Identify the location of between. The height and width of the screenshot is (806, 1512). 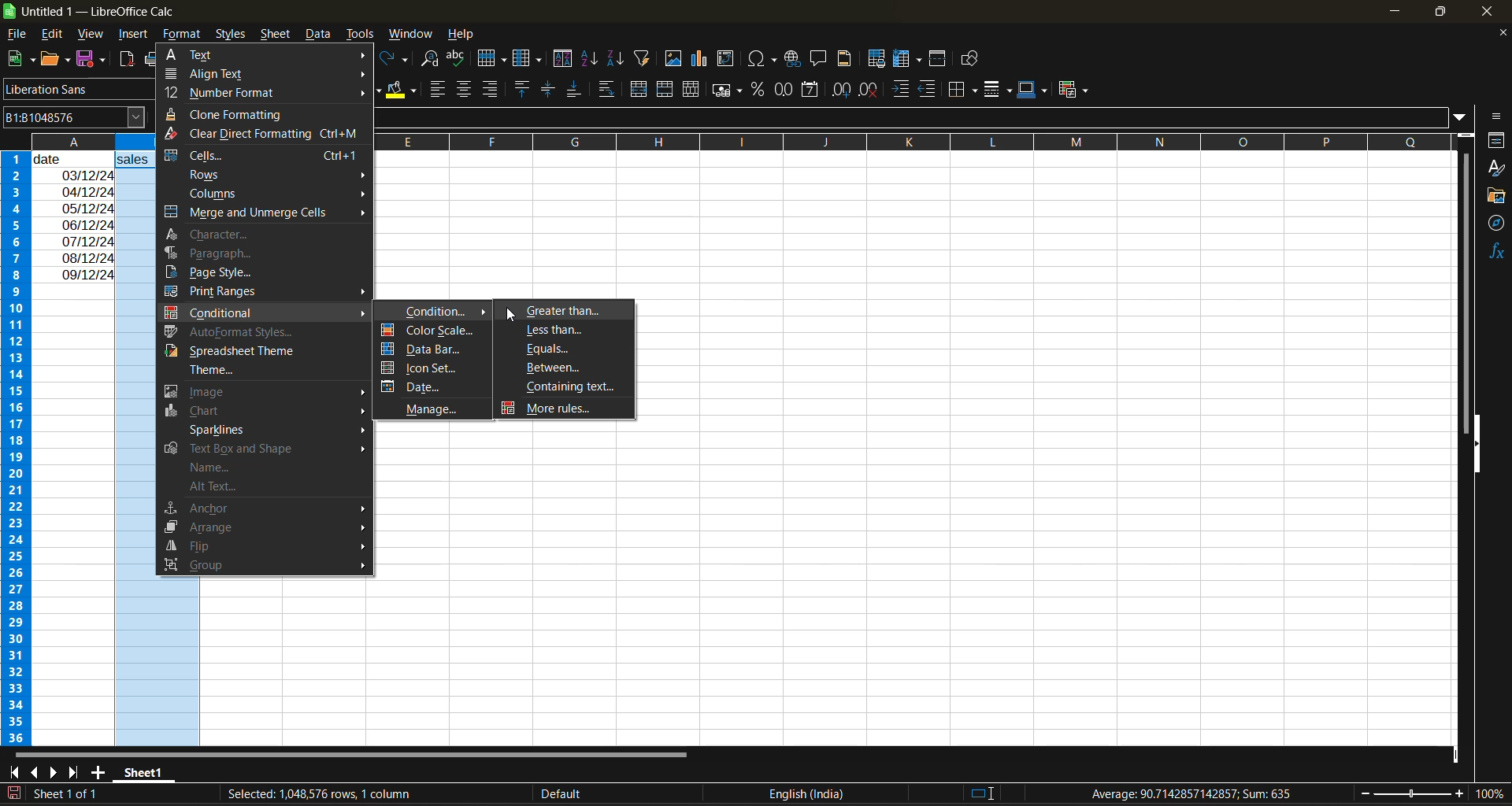
(560, 368).